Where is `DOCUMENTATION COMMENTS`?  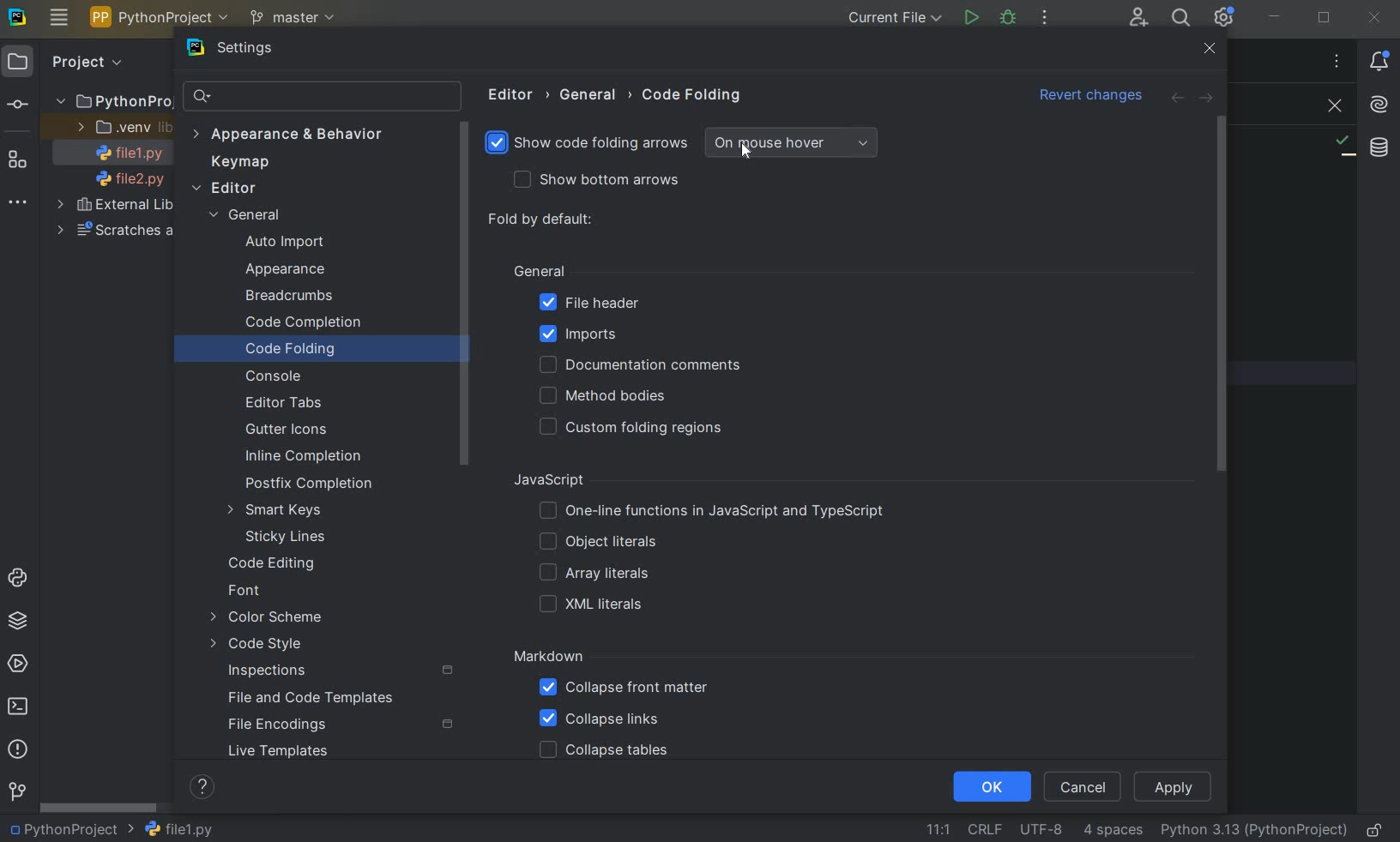 DOCUMENTATION COMMENTS is located at coordinates (638, 365).